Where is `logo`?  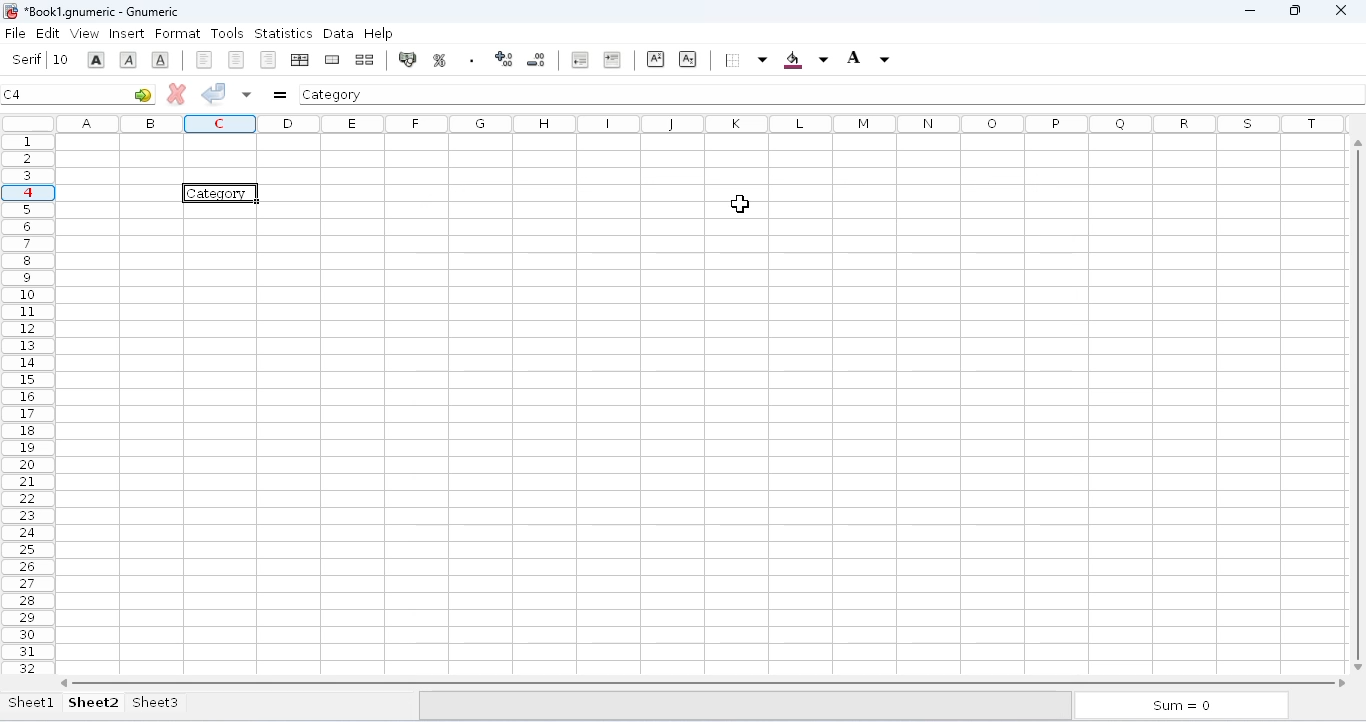 logo is located at coordinates (10, 11).